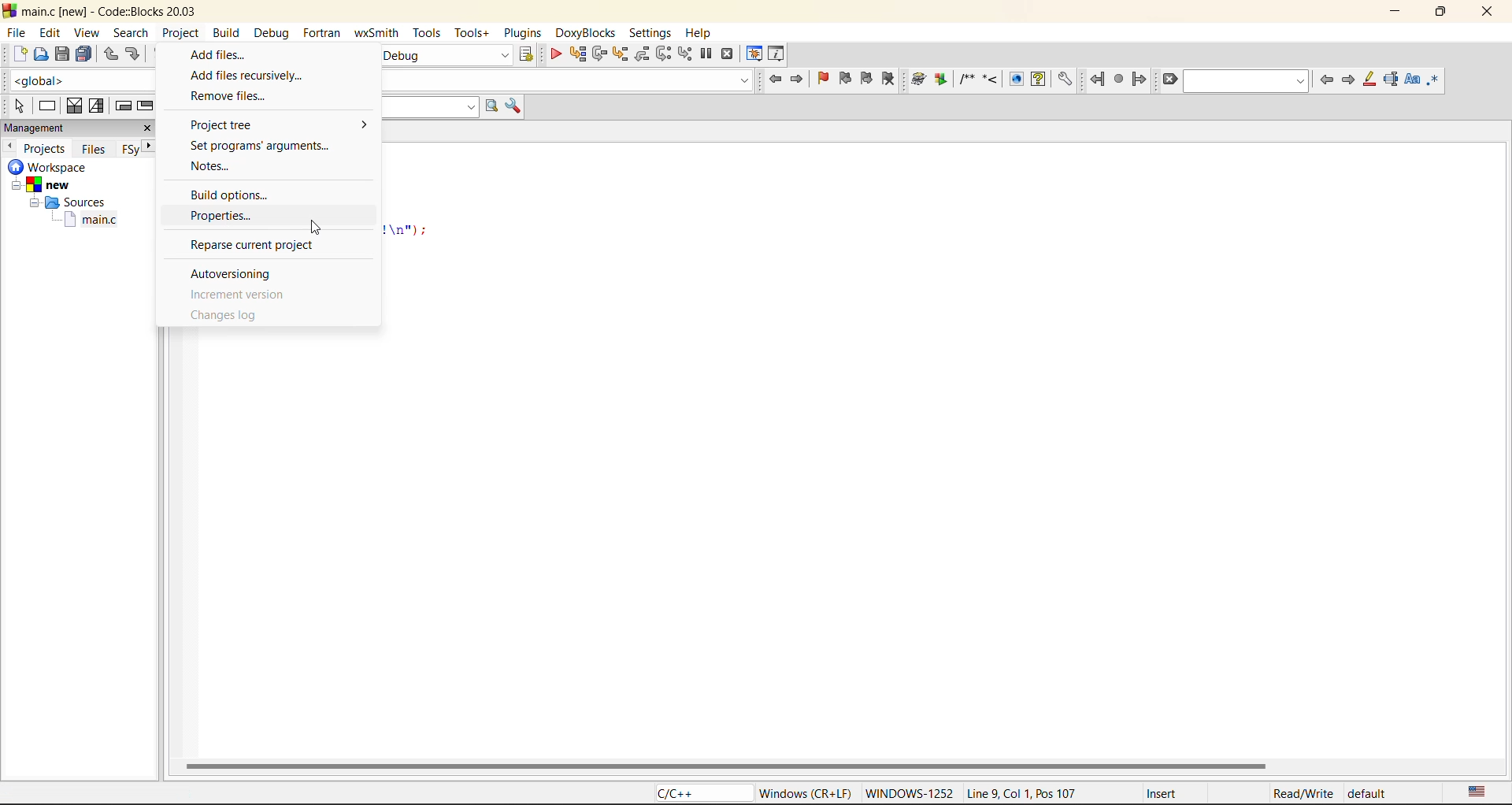 The image size is (1512, 805). I want to click on Insert a comment block at the current line, so click(966, 80).